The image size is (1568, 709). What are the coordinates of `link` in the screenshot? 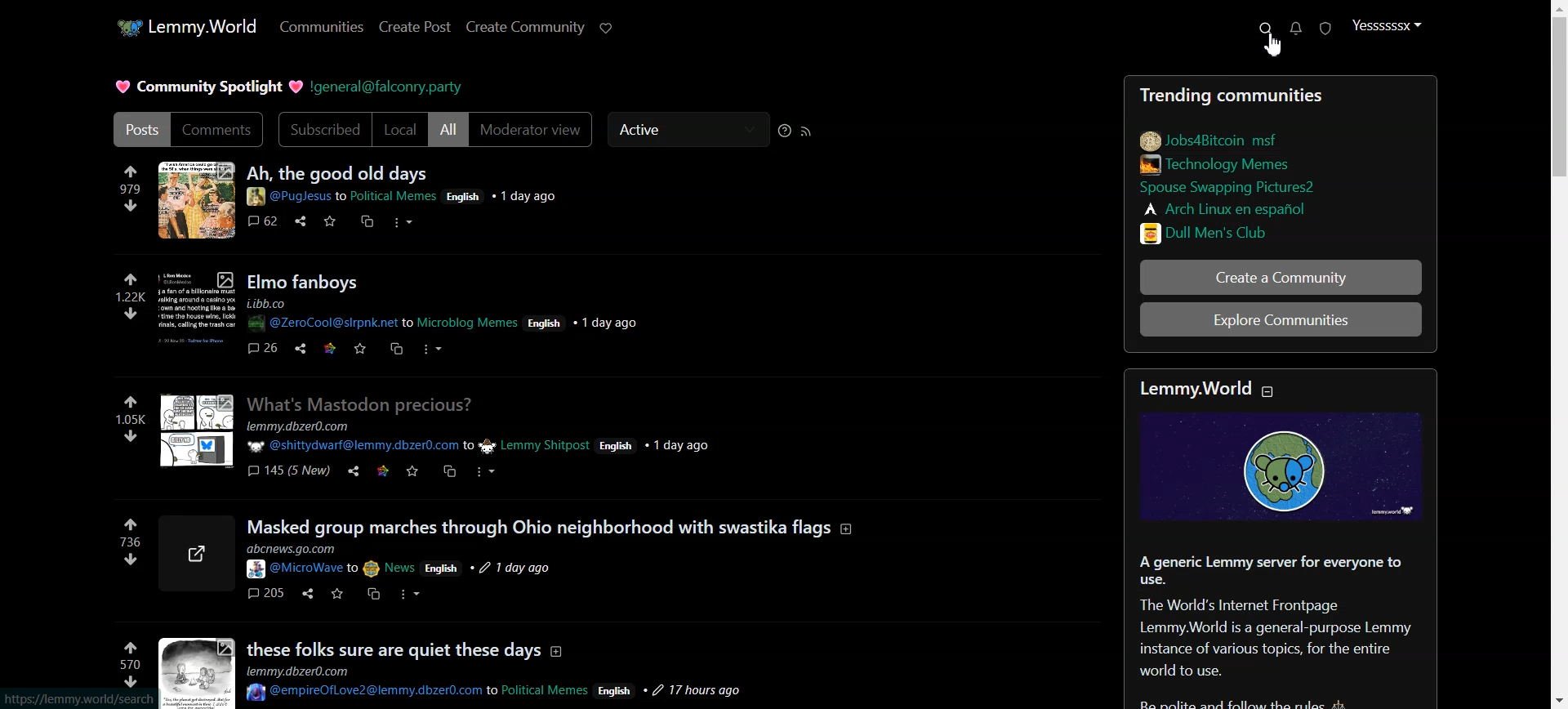 It's located at (1236, 208).